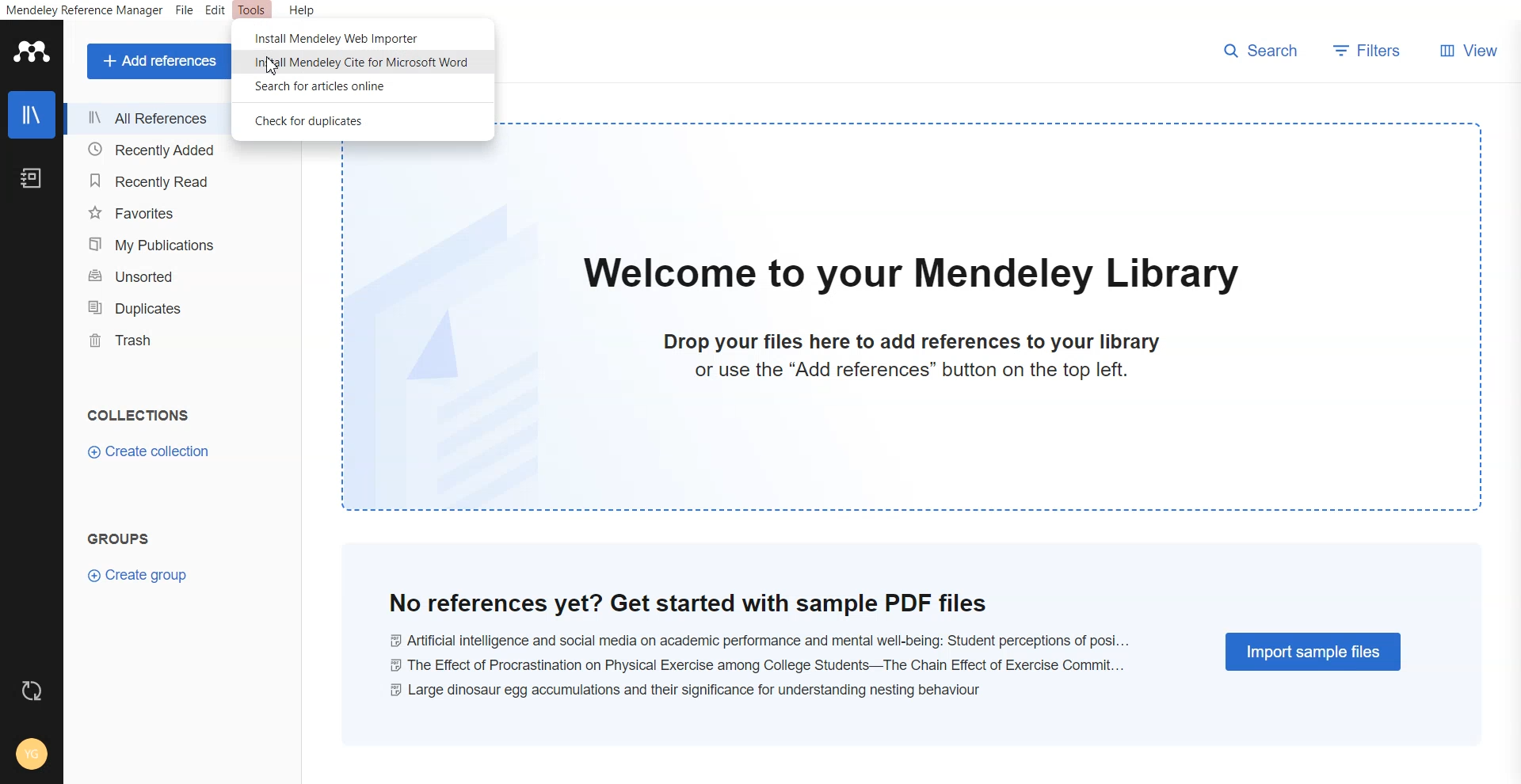 Image resolution: width=1521 pixels, height=784 pixels. What do you see at coordinates (276, 69) in the screenshot?
I see `cursor` at bounding box center [276, 69].